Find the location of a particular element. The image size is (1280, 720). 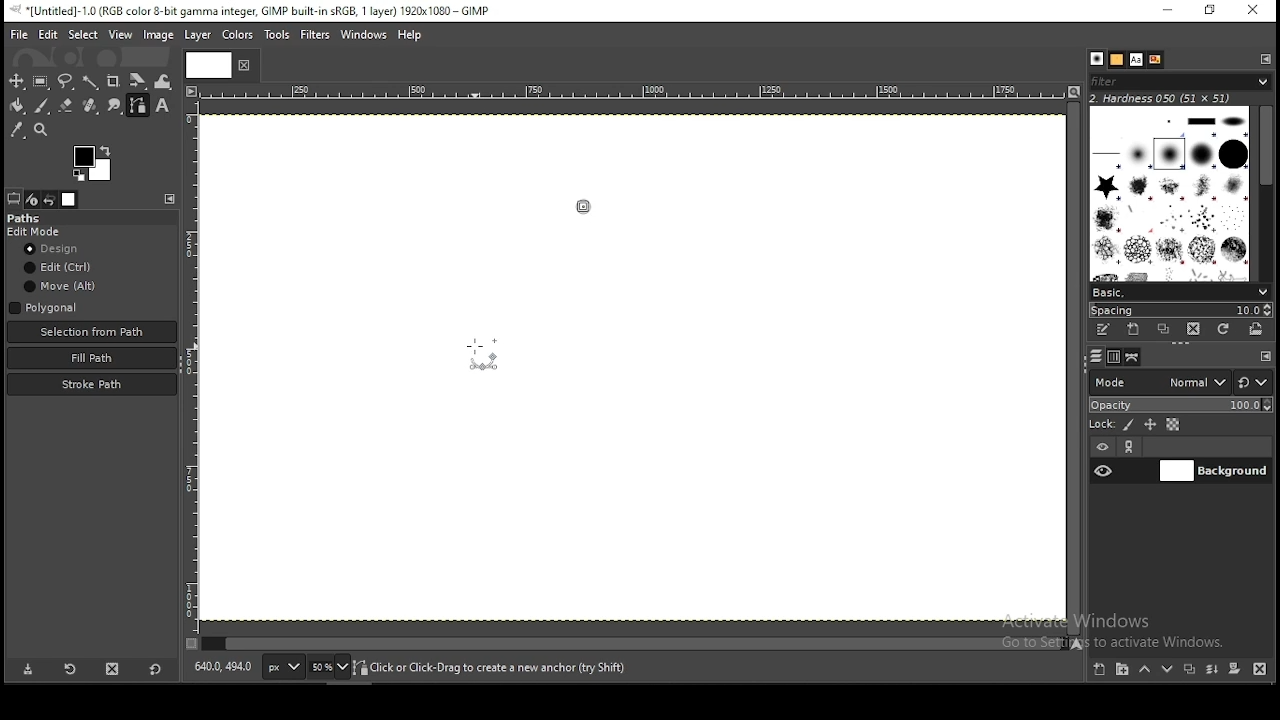

text is located at coordinates (1135, 59).